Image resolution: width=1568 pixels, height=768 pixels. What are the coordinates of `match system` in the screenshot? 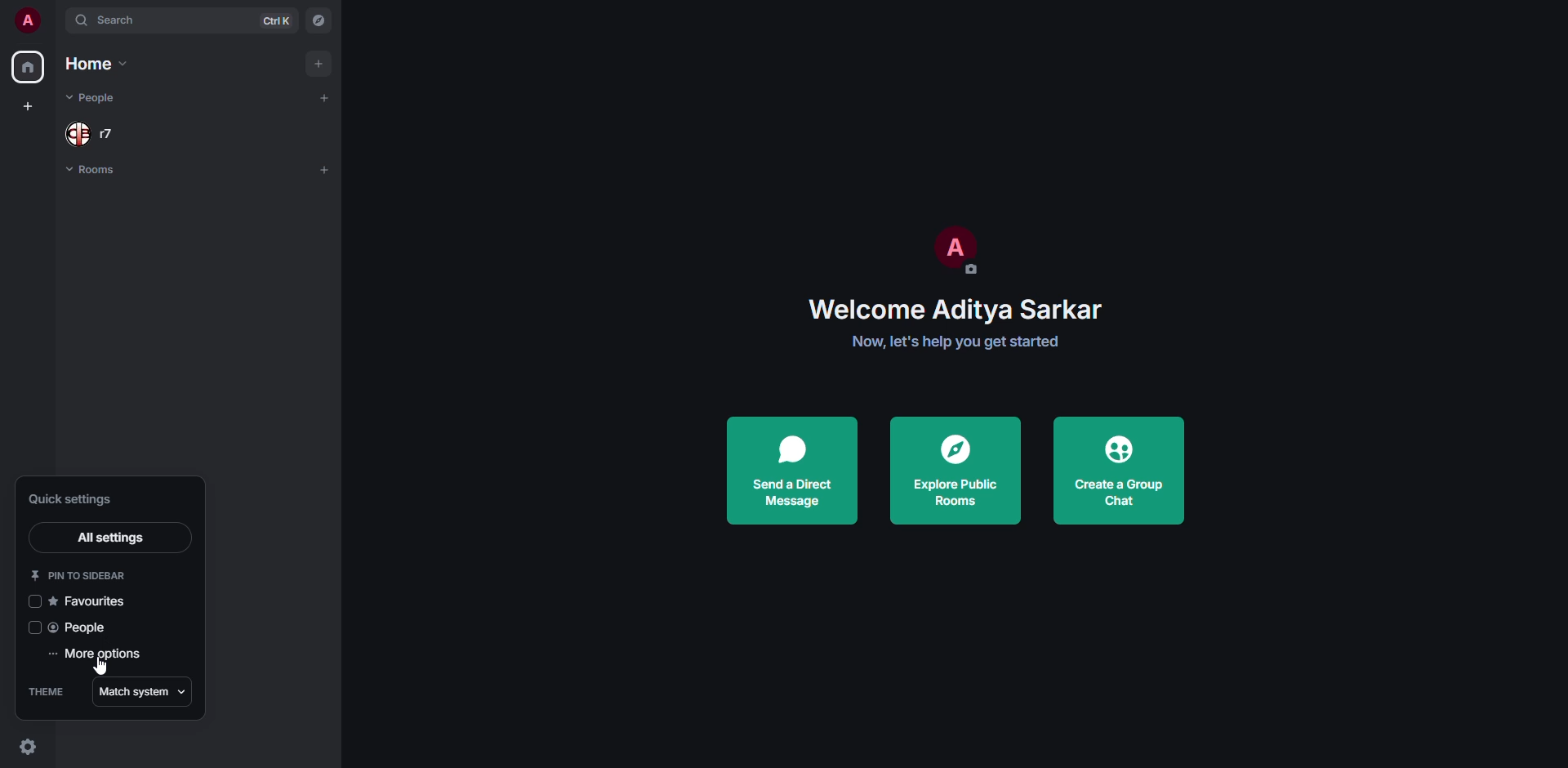 It's located at (140, 692).